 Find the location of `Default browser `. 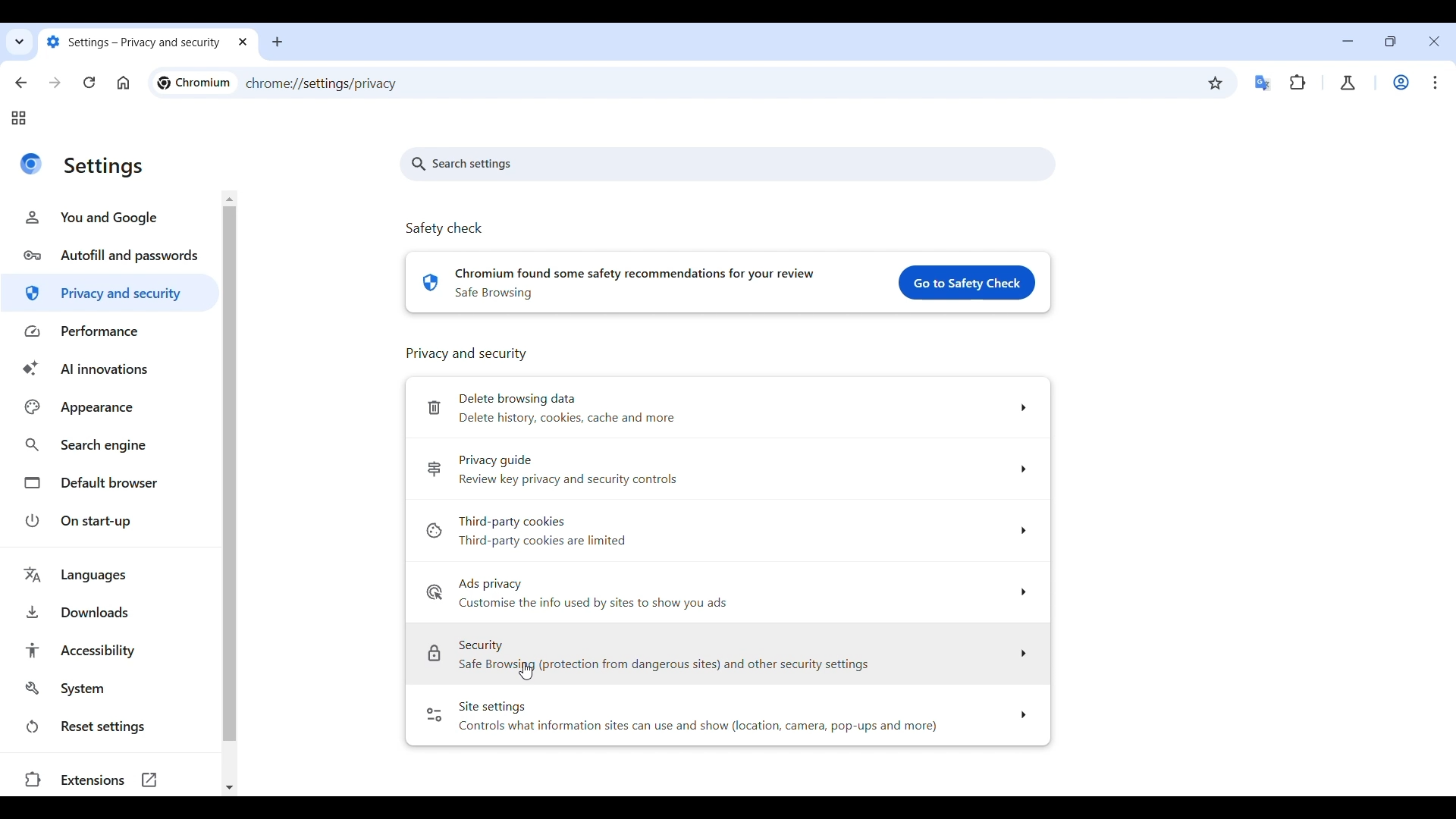

Default browser  is located at coordinates (112, 483).